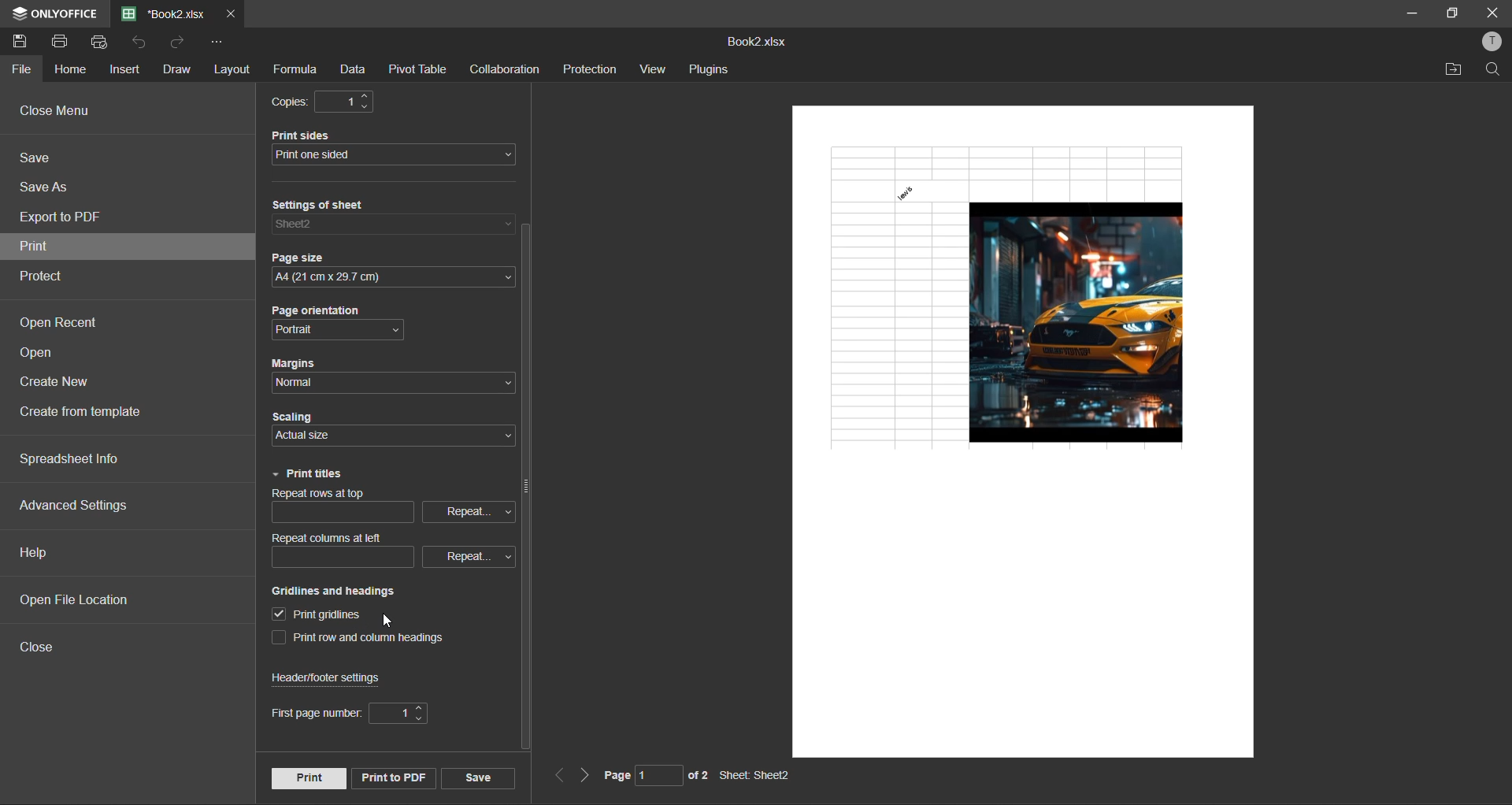 This screenshot has height=805, width=1512. Describe the element at coordinates (358, 205) in the screenshot. I see `settings of sheet` at that location.